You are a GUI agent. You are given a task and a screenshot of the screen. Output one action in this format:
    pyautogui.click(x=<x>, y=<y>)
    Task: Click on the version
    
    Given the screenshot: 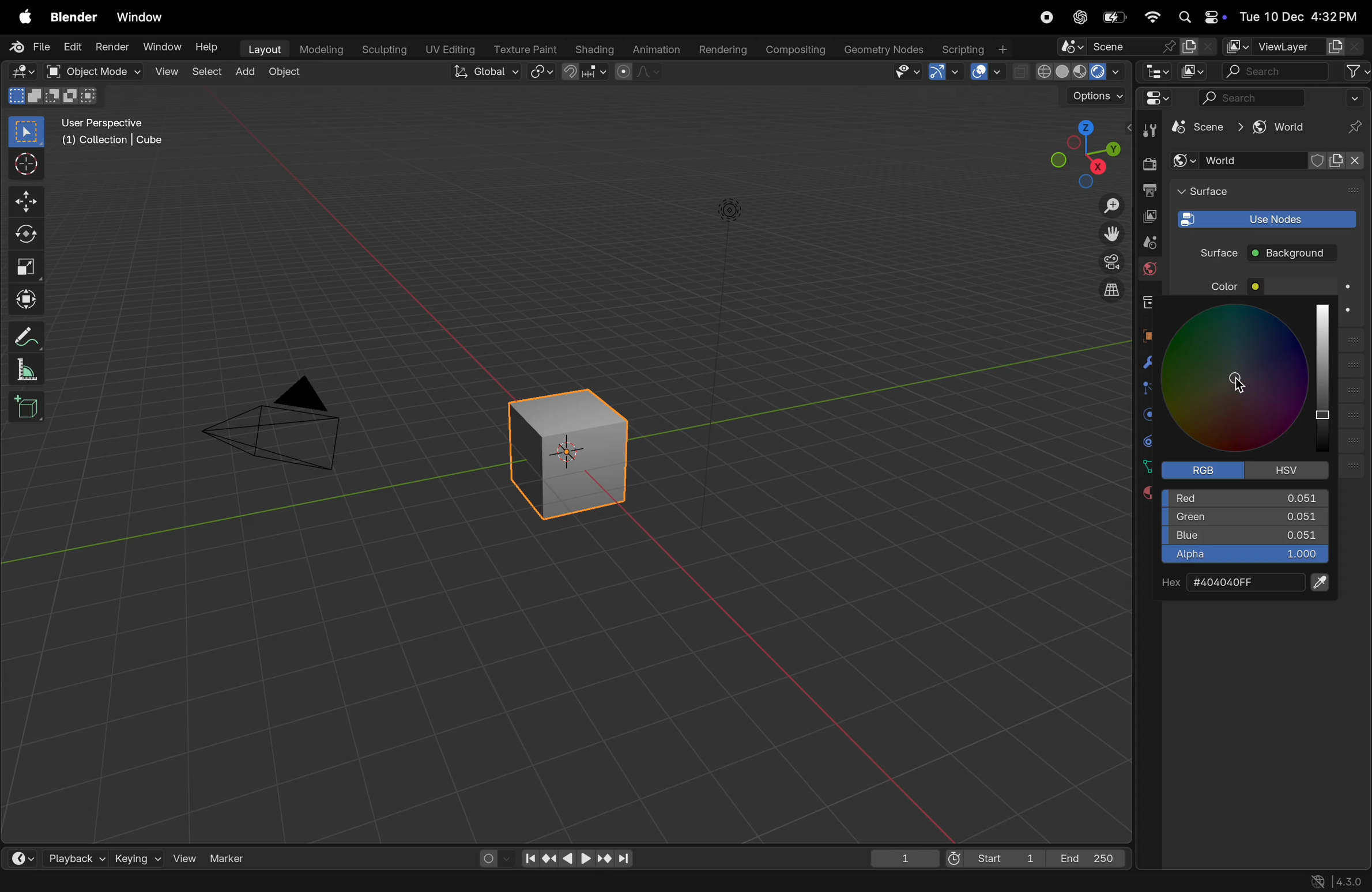 What is the action you would take?
    pyautogui.click(x=1342, y=881)
    